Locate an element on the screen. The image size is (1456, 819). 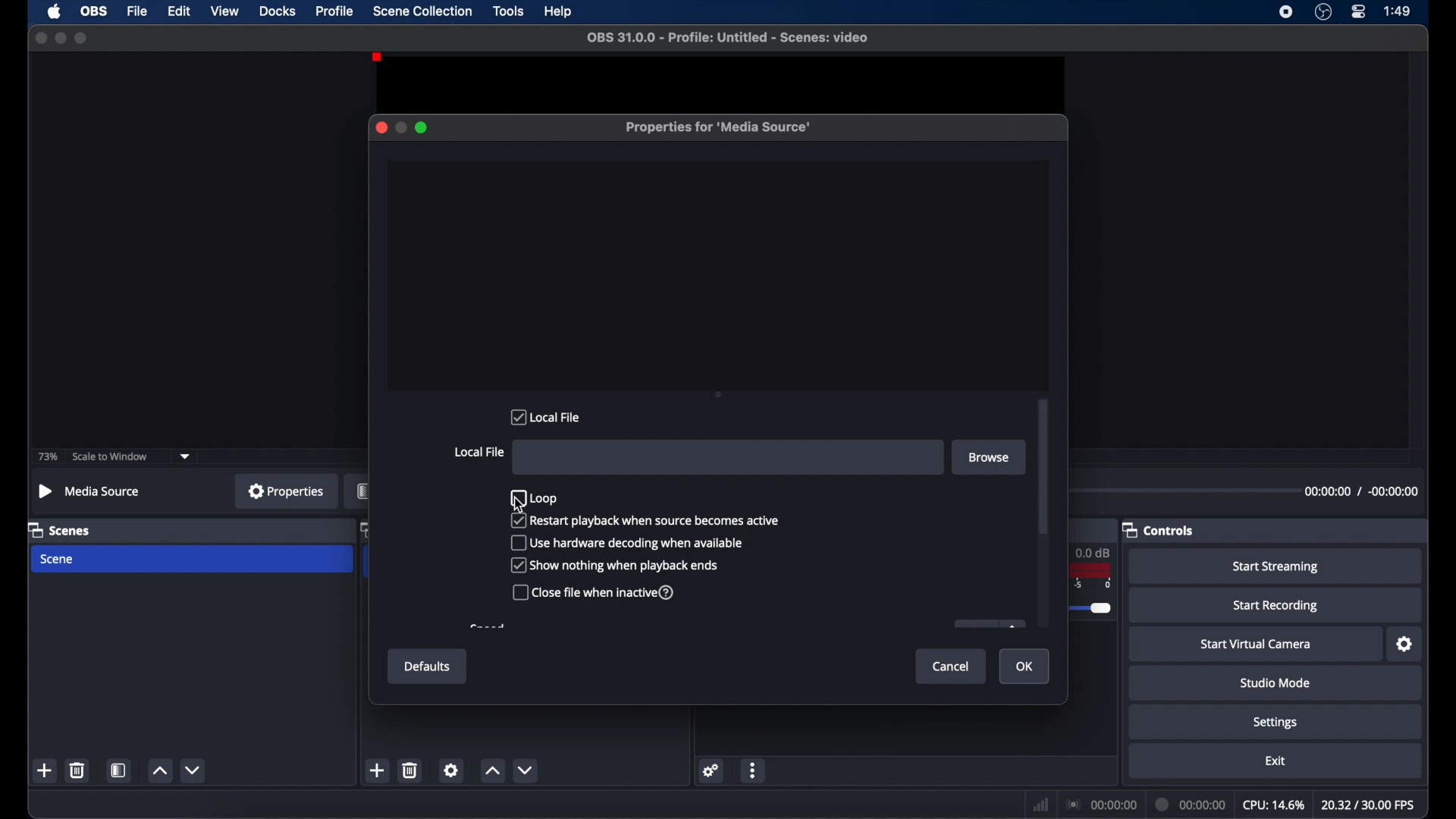
properties for media source is located at coordinates (718, 127).